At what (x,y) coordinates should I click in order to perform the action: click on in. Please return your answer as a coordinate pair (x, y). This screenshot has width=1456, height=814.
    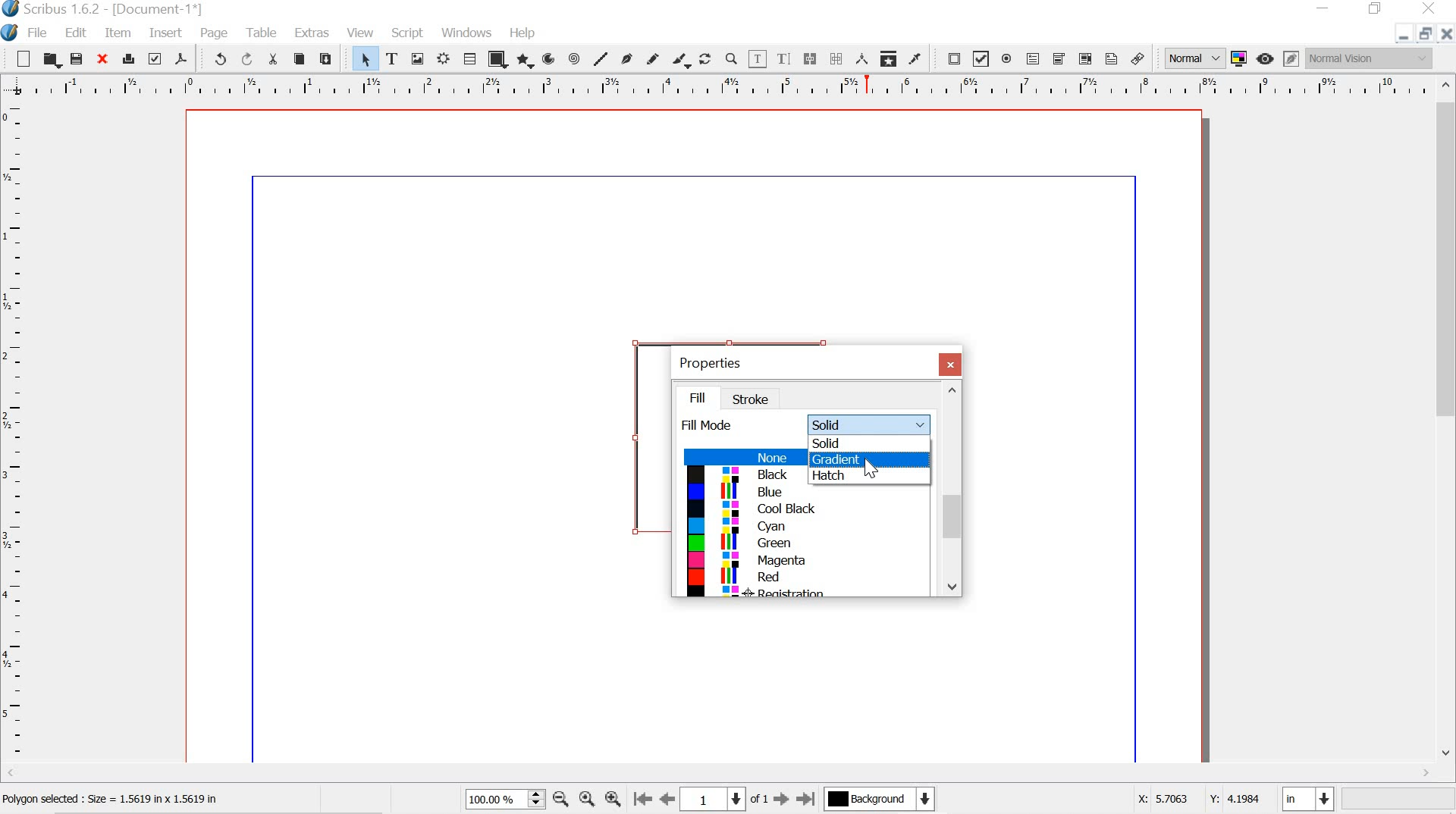
    Looking at the image, I should click on (1309, 799).